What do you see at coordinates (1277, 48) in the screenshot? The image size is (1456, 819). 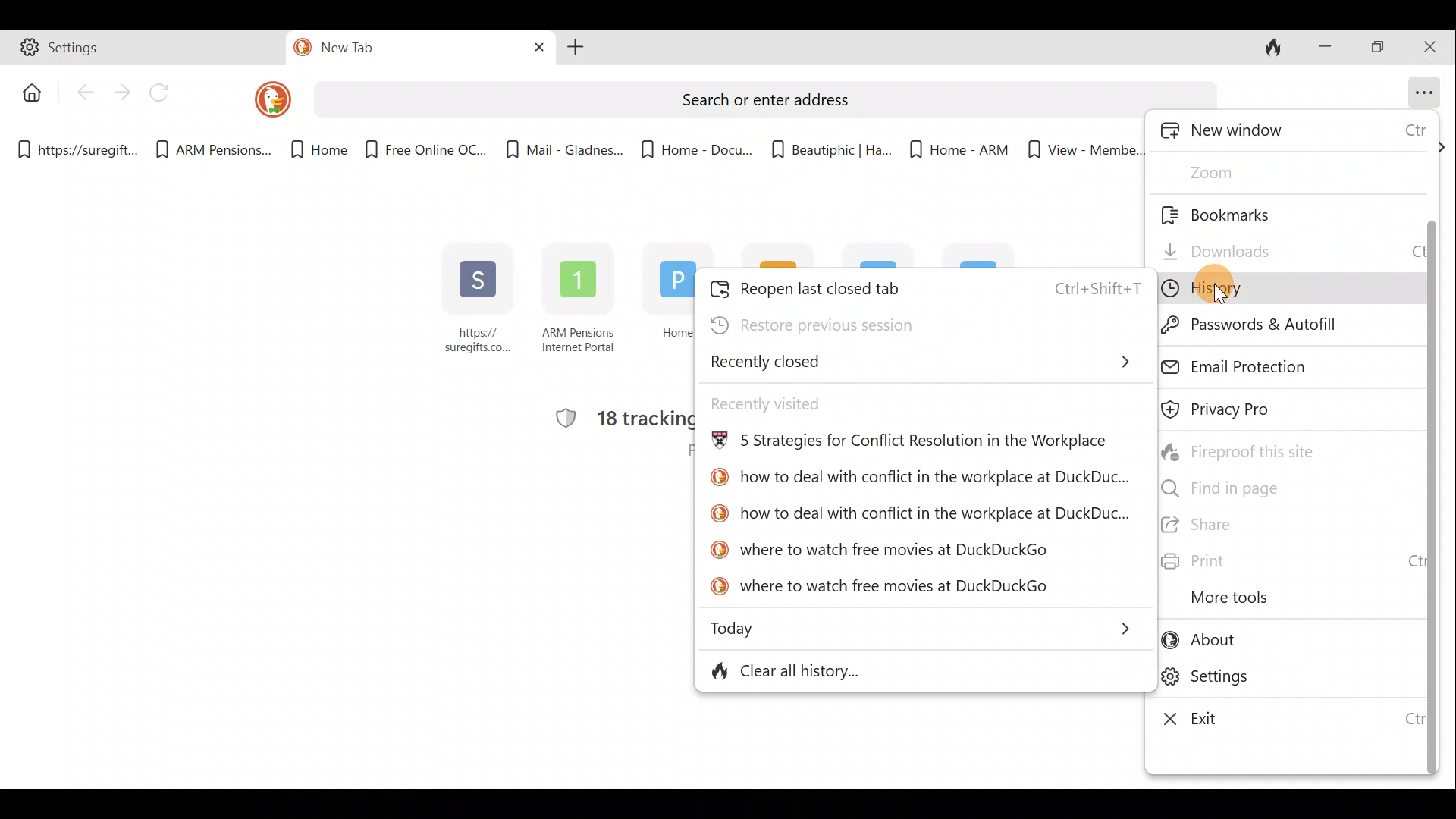 I see `Close tabs and clear data` at bounding box center [1277, 48].